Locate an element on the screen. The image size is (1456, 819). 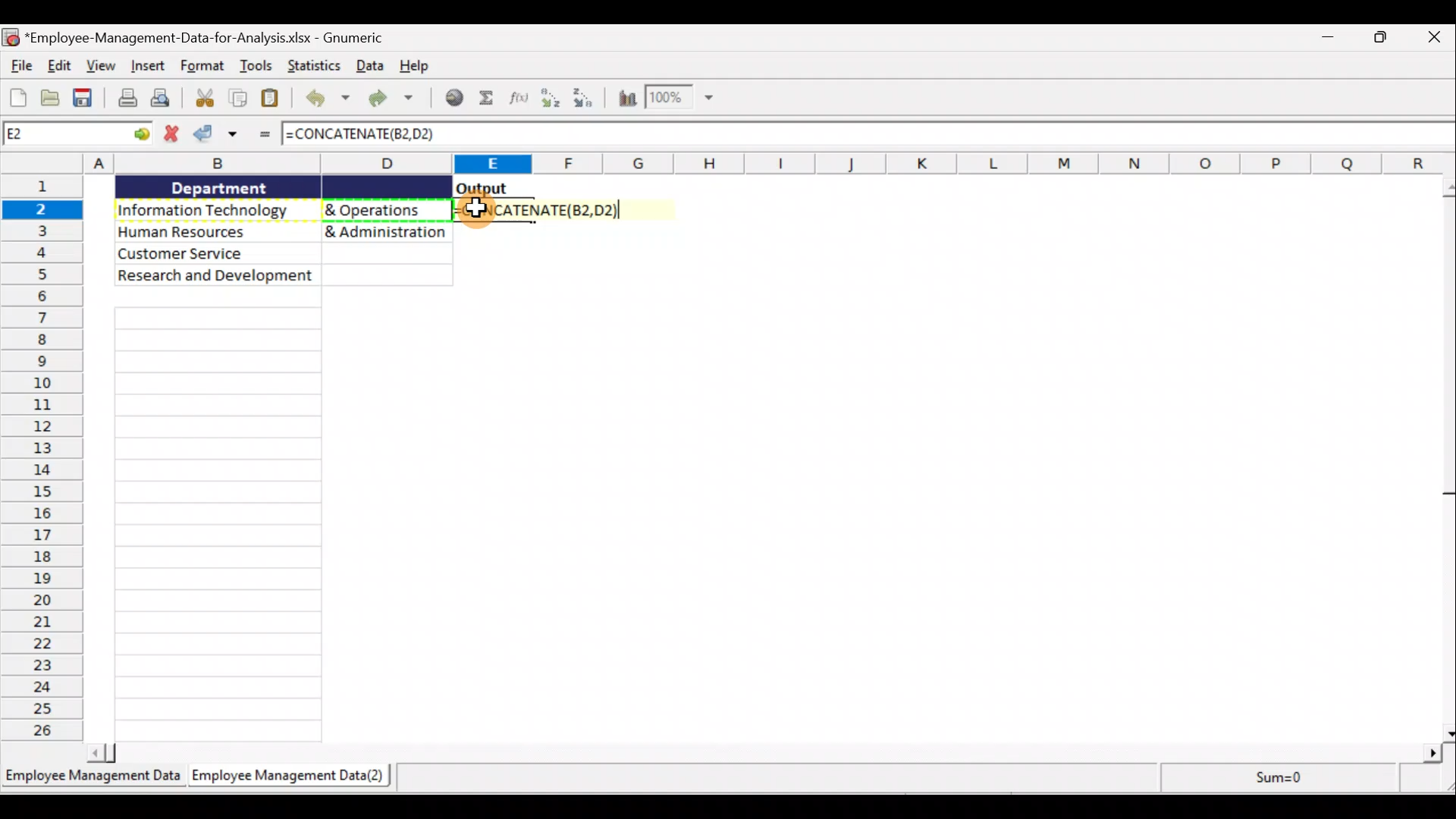
Zoom is located at coordinates (680, 99).